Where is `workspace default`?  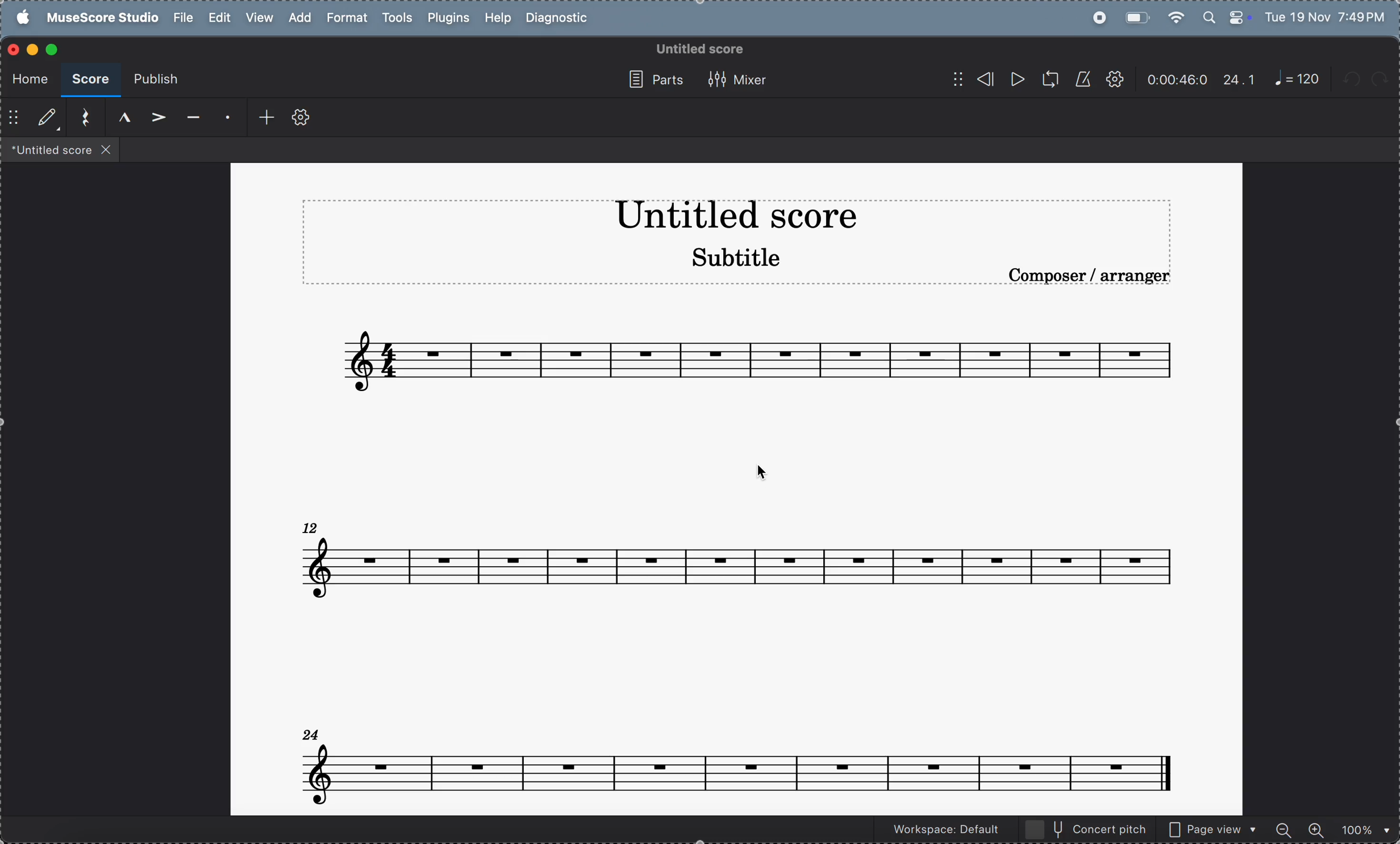
workspace default is located at coordinates (946, 830).